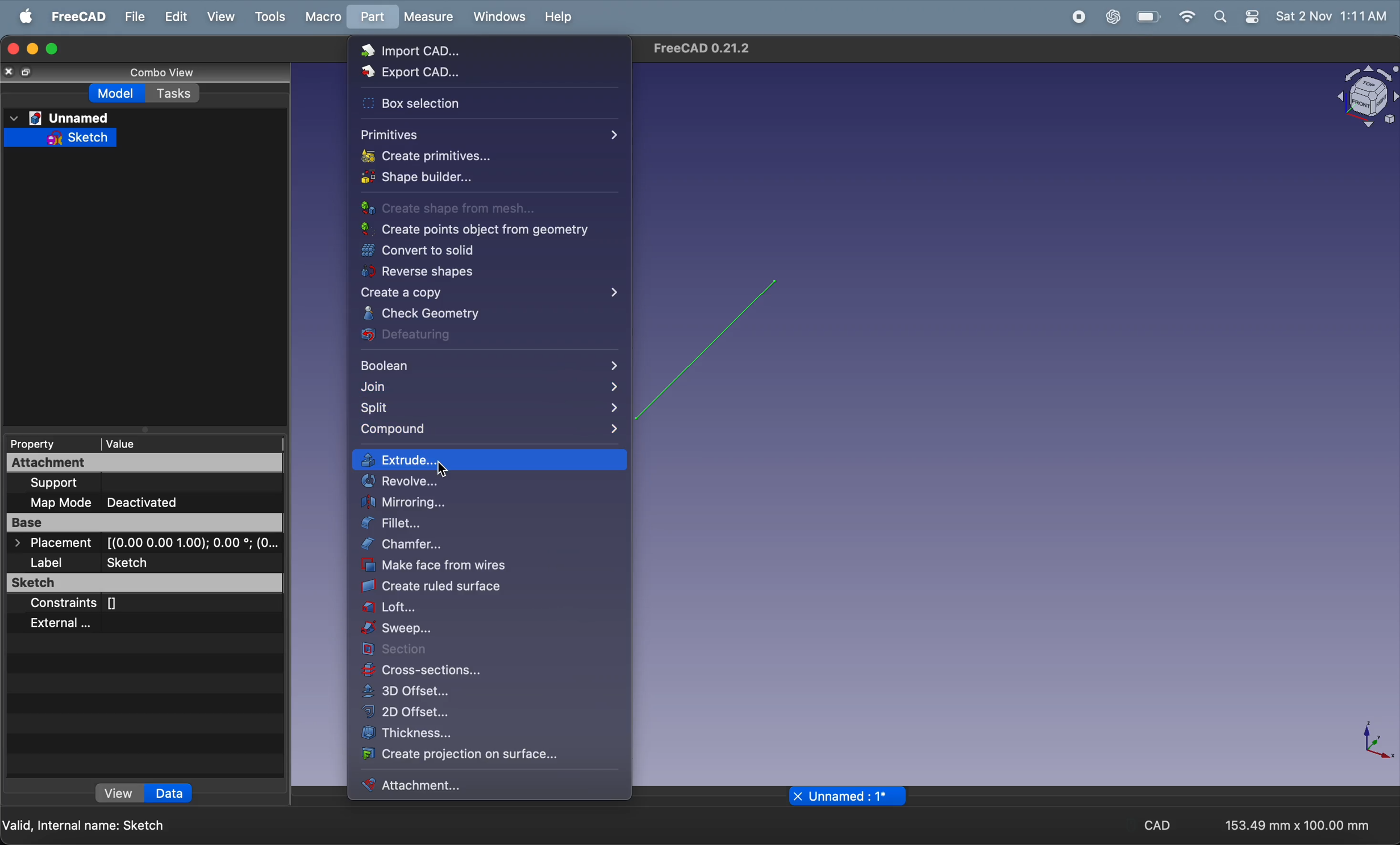 The width and height of the screenshot is (1400, 845). I want to click on map mode, so click(55, 503).